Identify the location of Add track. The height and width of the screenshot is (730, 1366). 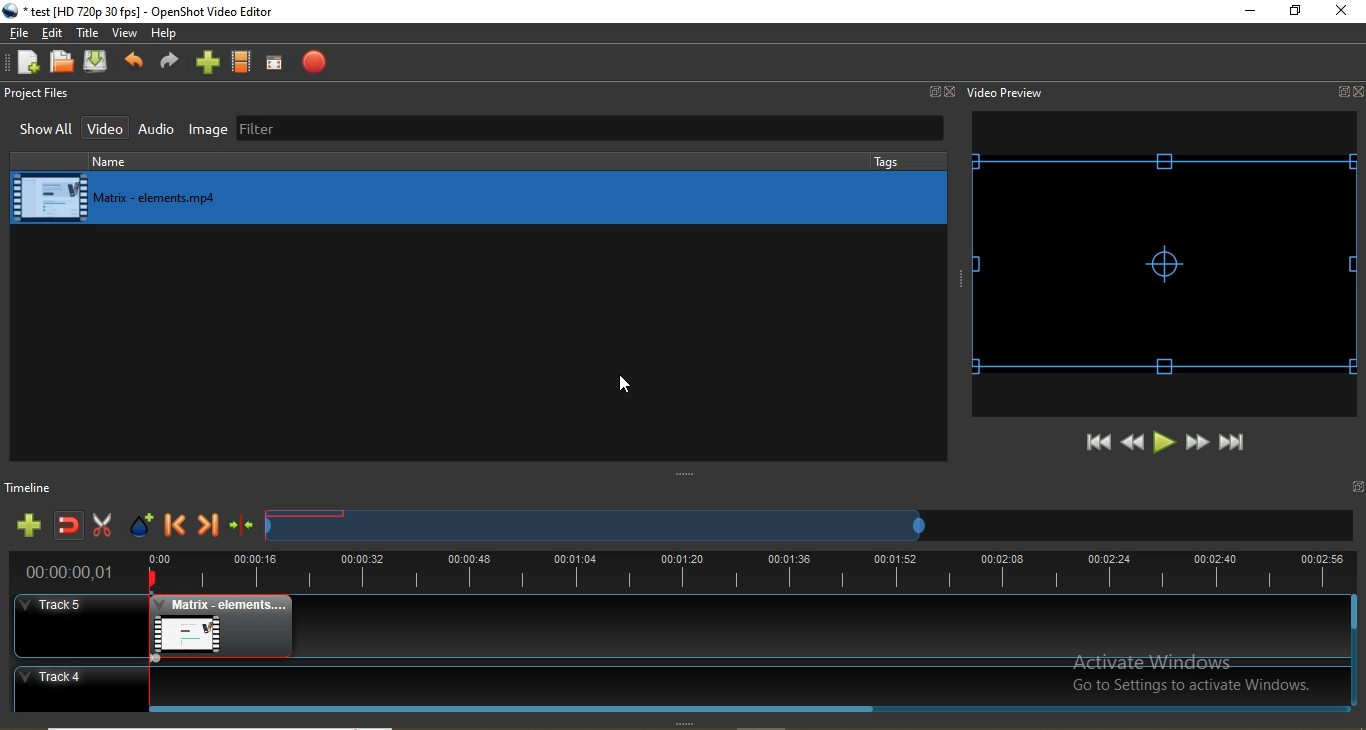
(30, 525).